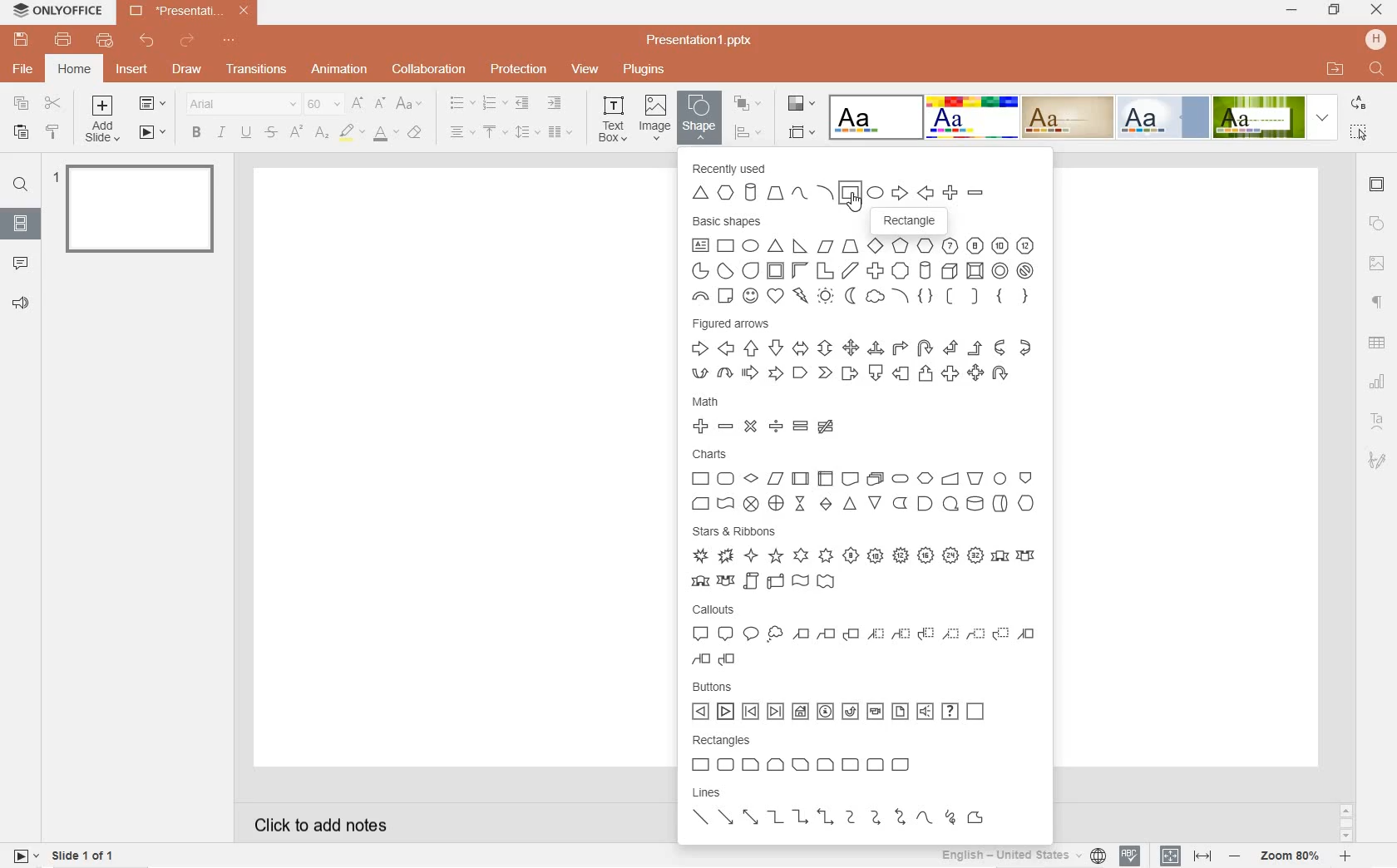 This screenshot has width=1397, height=868. I want to click on clear style, so click(417, 133).